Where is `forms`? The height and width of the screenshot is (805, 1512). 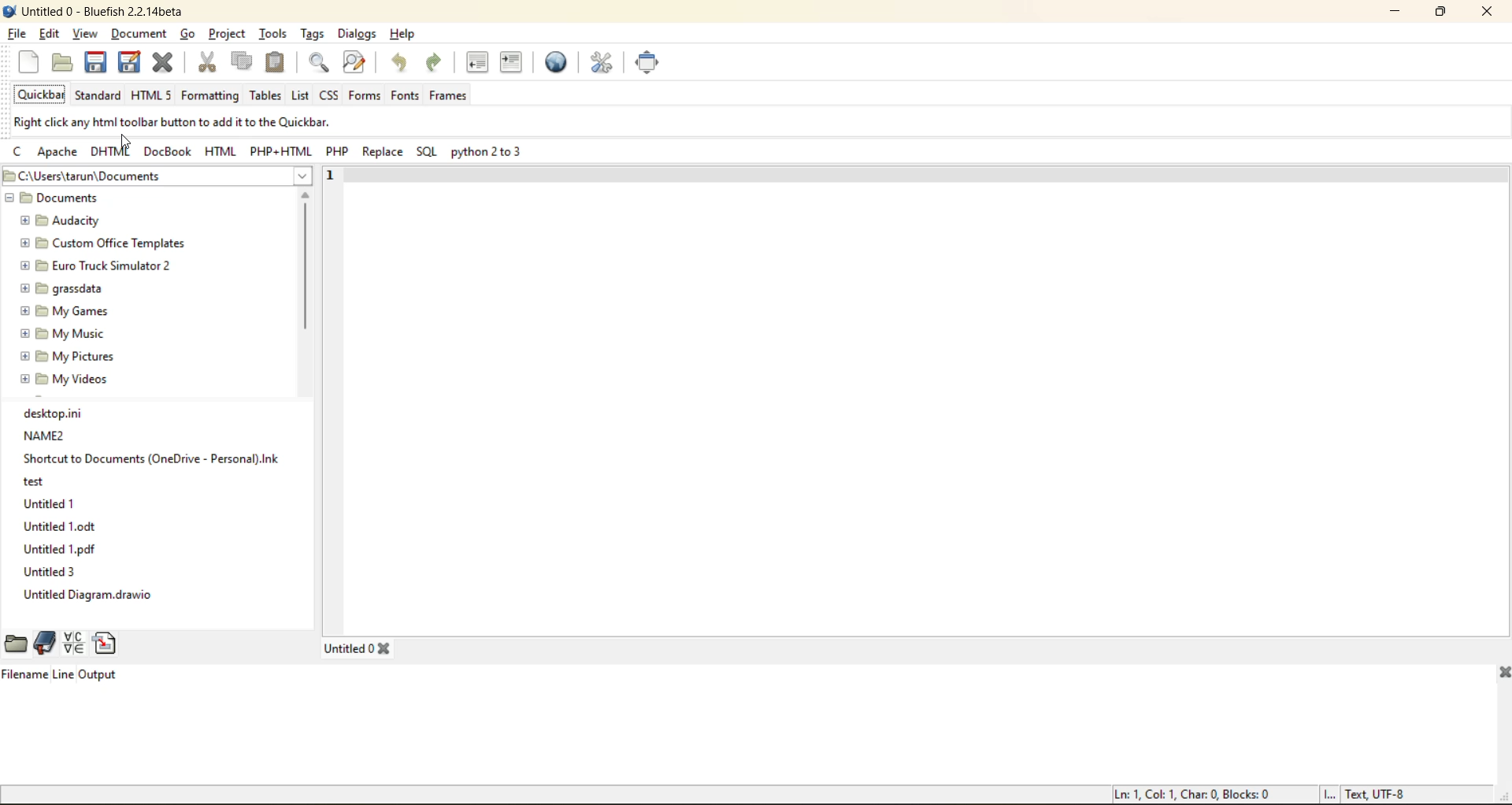
forms is located at coordinates (364, 96).